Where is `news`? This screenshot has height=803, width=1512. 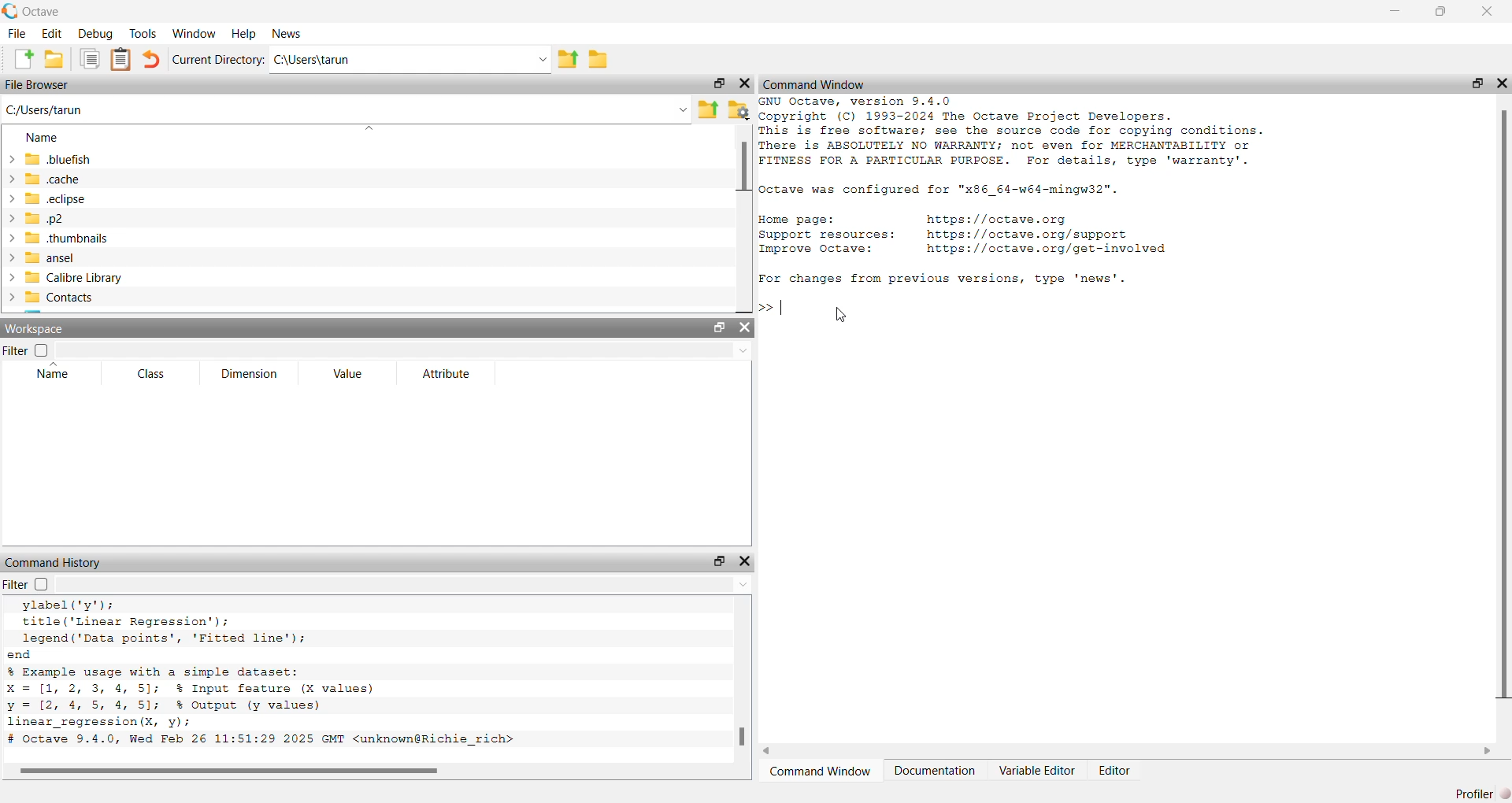
news is located at coordinates (287, 35).